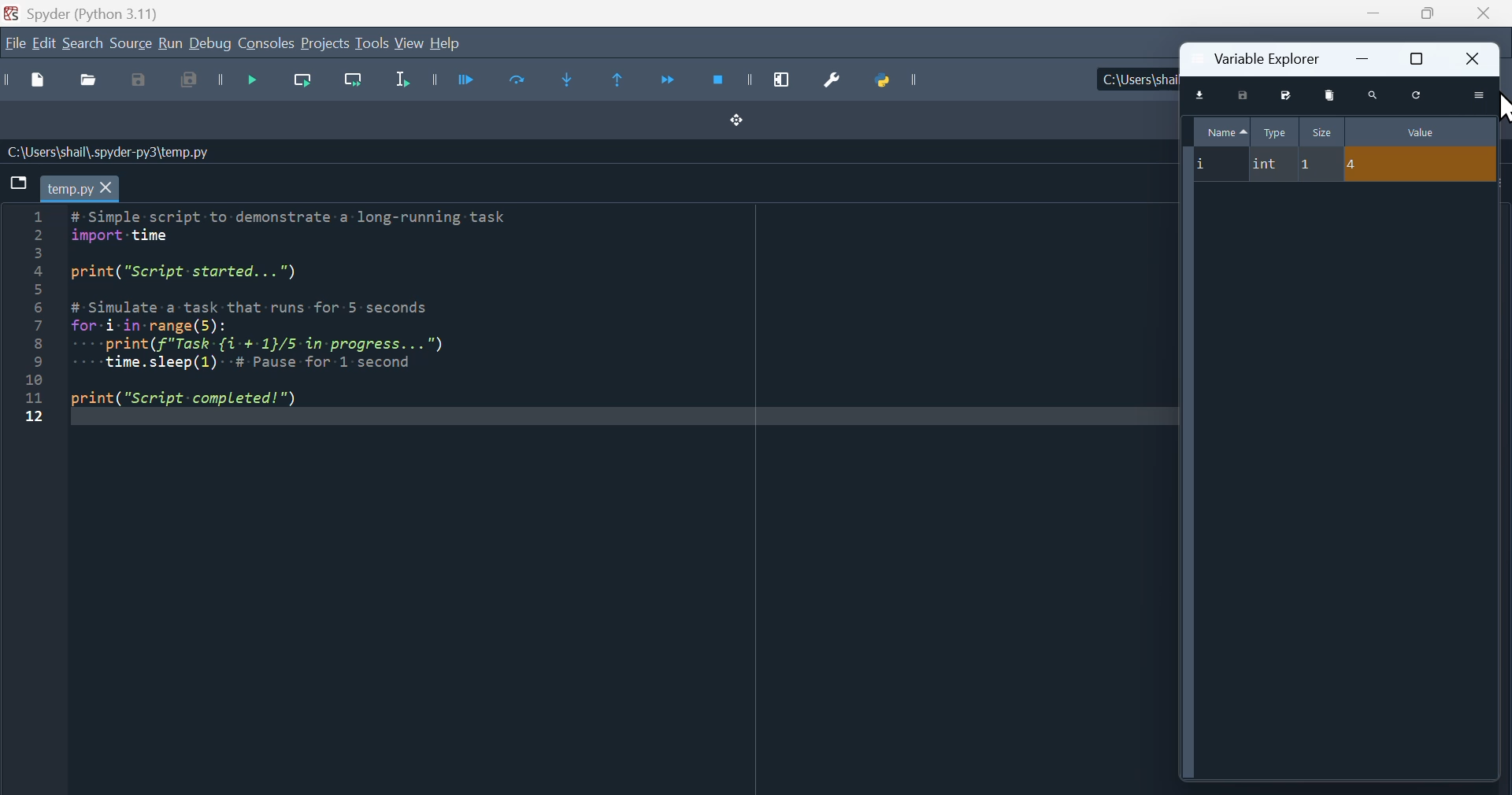 This screenshot has height=795, width=1512. Describe the element at coordinates (1277, 132) in the screenshot. I see `Type` at that location.